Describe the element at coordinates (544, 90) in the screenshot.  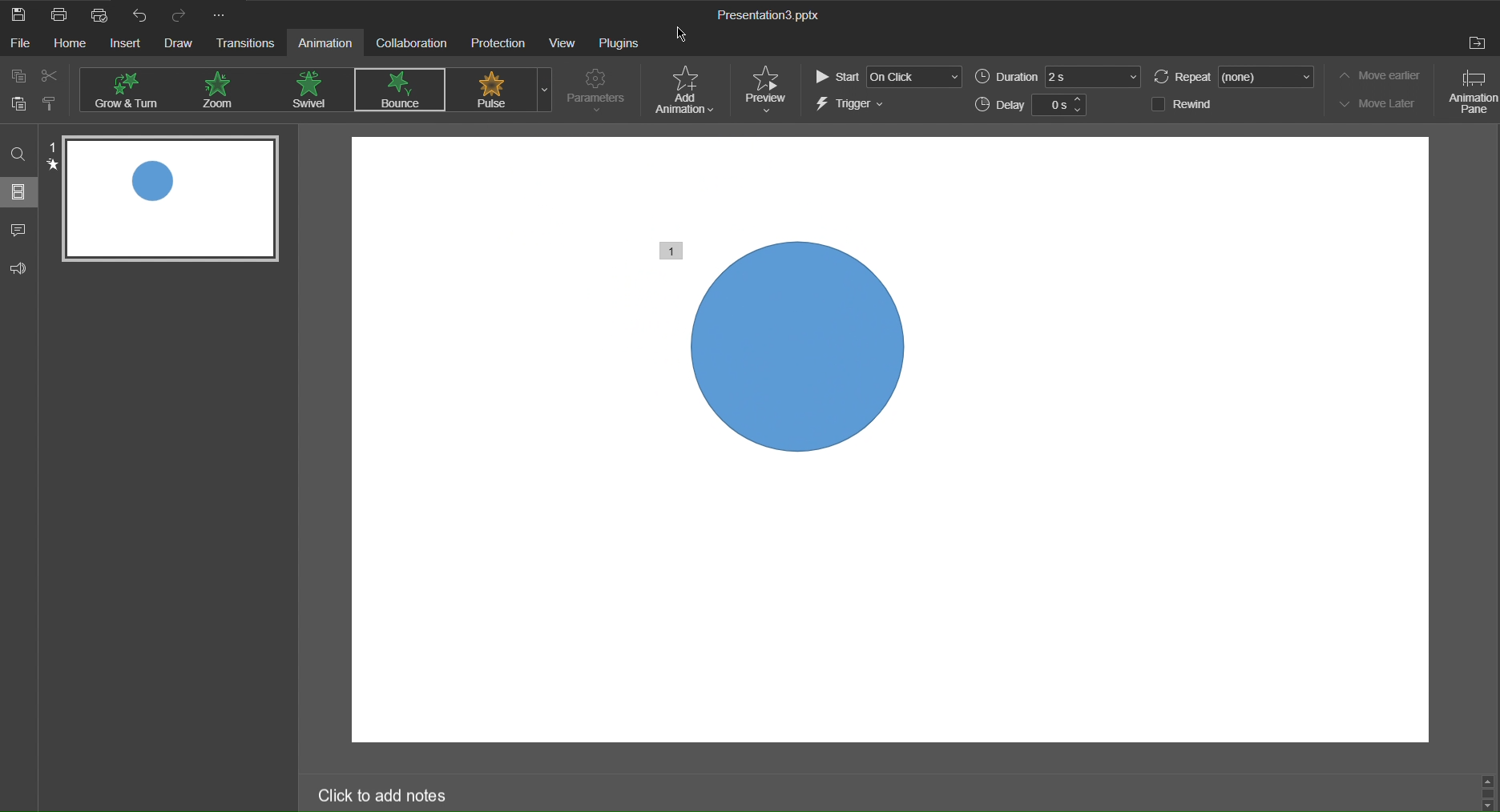
I see `more Animations` at that location.